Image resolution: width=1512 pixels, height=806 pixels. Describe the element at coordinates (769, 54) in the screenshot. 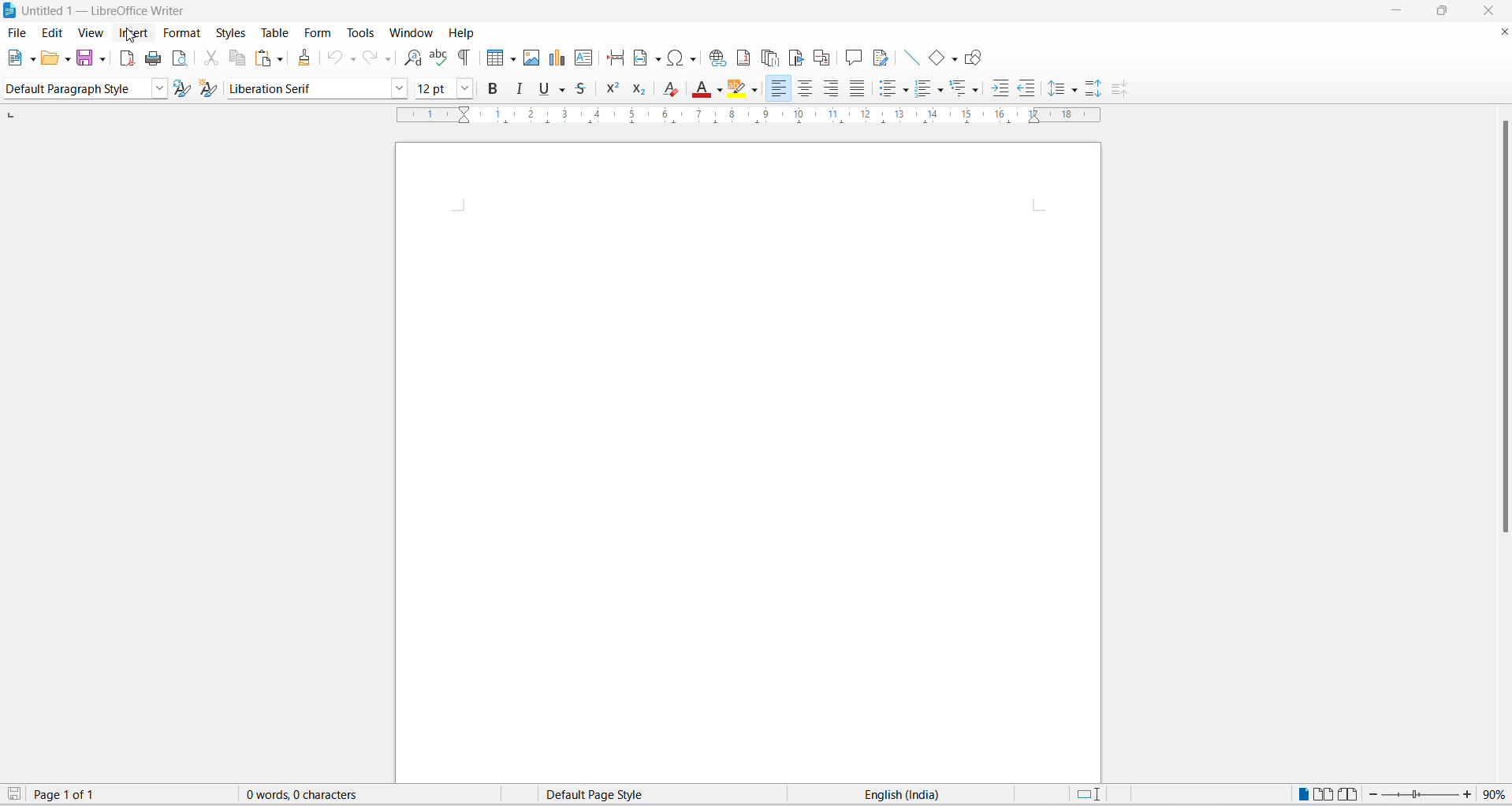

I see `insert endnote` at that location.